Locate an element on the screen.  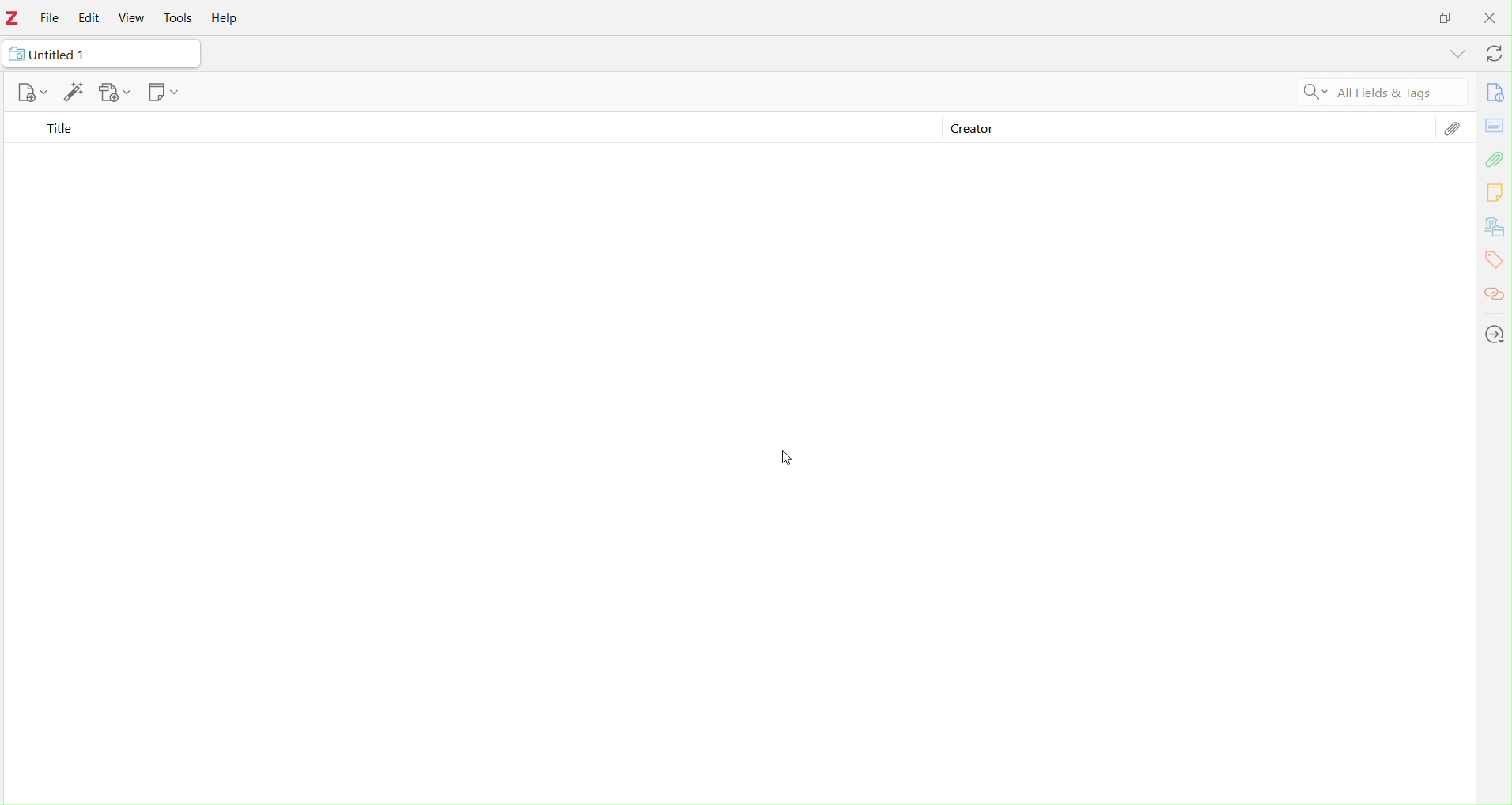
Edit is located at coordinates (74, 94).